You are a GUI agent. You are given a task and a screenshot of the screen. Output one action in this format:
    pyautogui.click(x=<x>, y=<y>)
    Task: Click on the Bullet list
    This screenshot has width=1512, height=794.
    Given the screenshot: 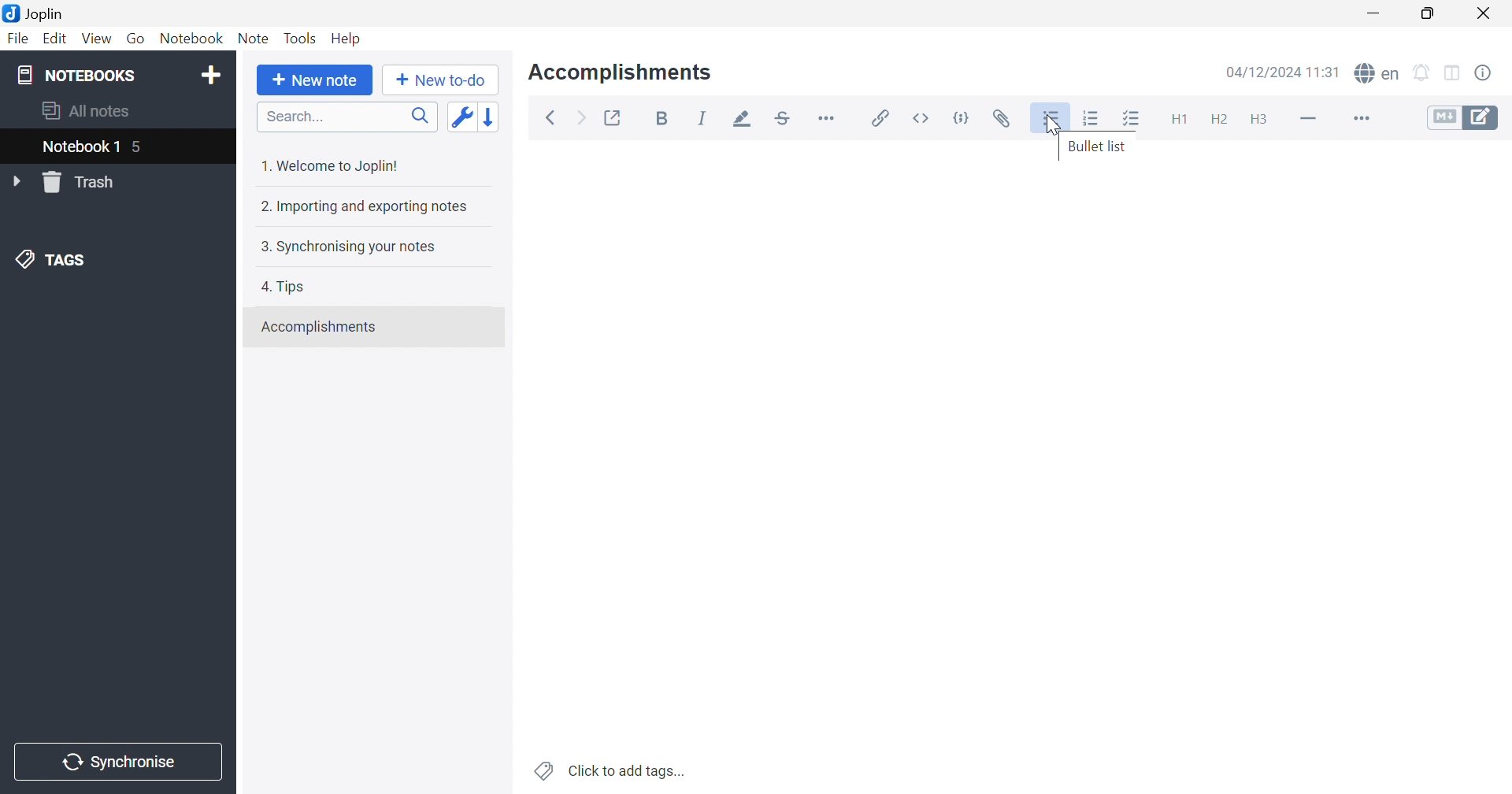 What is the action you would take?
    pyautogui.click(x=1099, y=147)
    